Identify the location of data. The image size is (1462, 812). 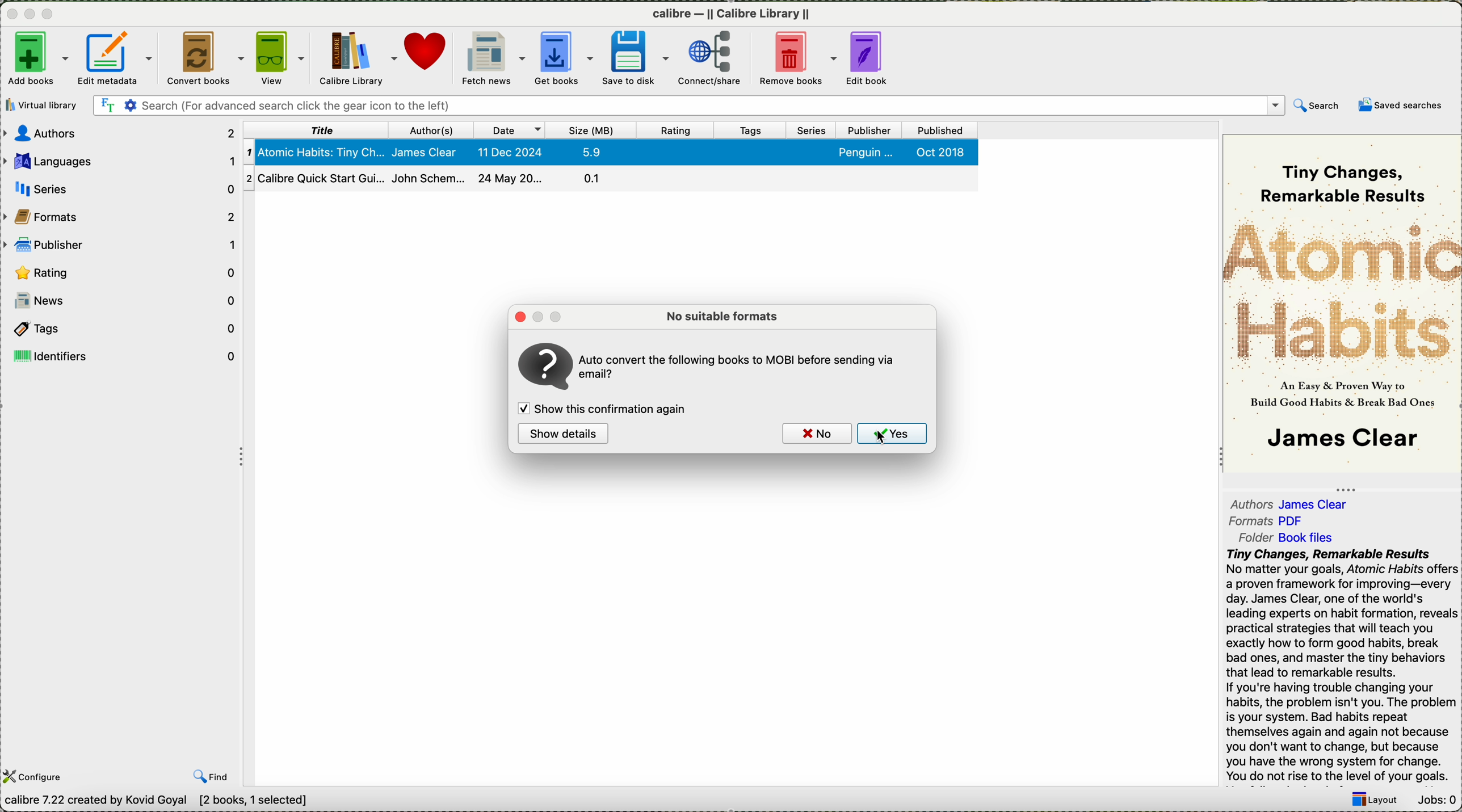
(202, 802).